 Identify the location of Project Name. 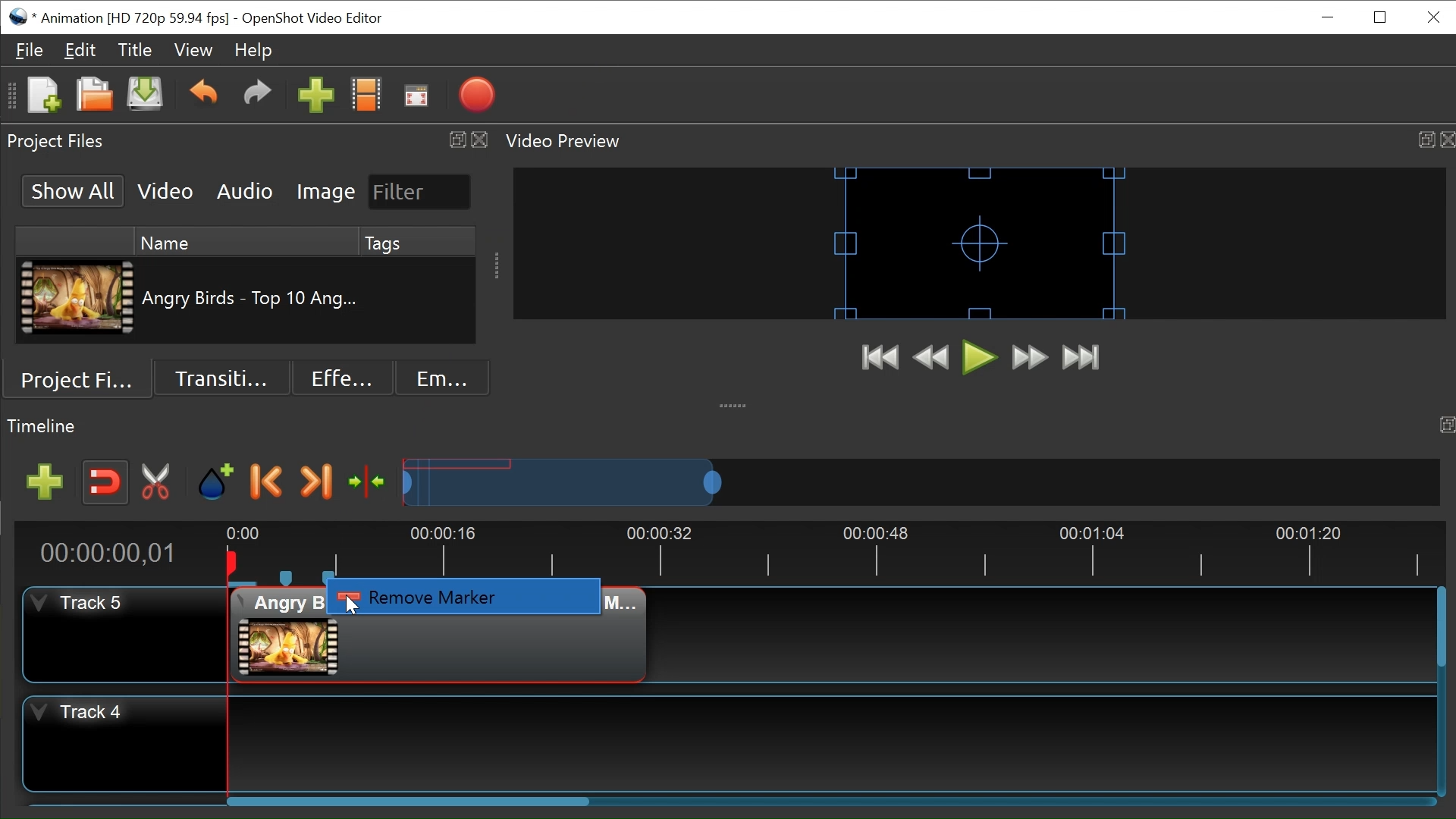
(133, 19).